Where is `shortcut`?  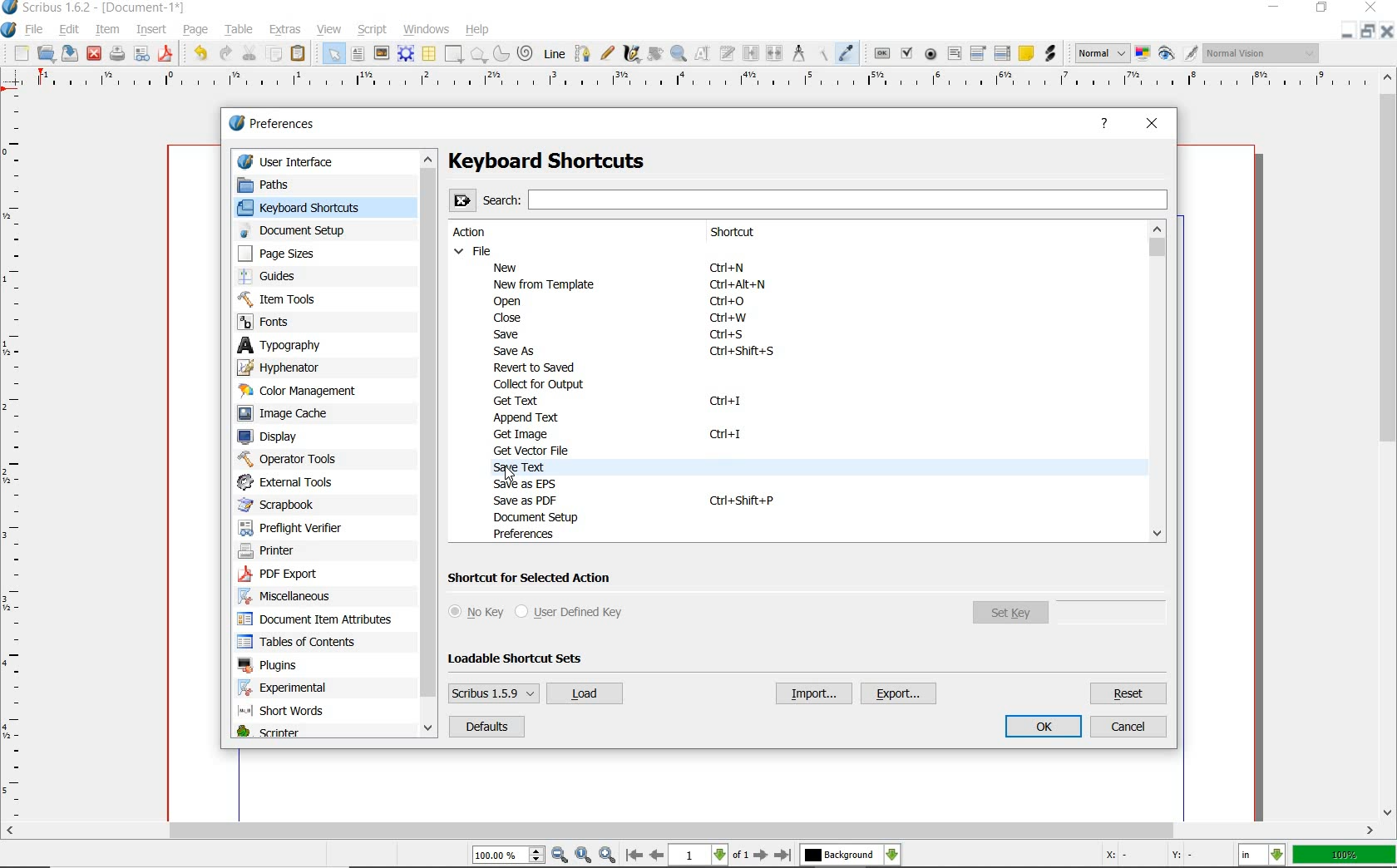 shortcut is located at coordinates (749, 232).